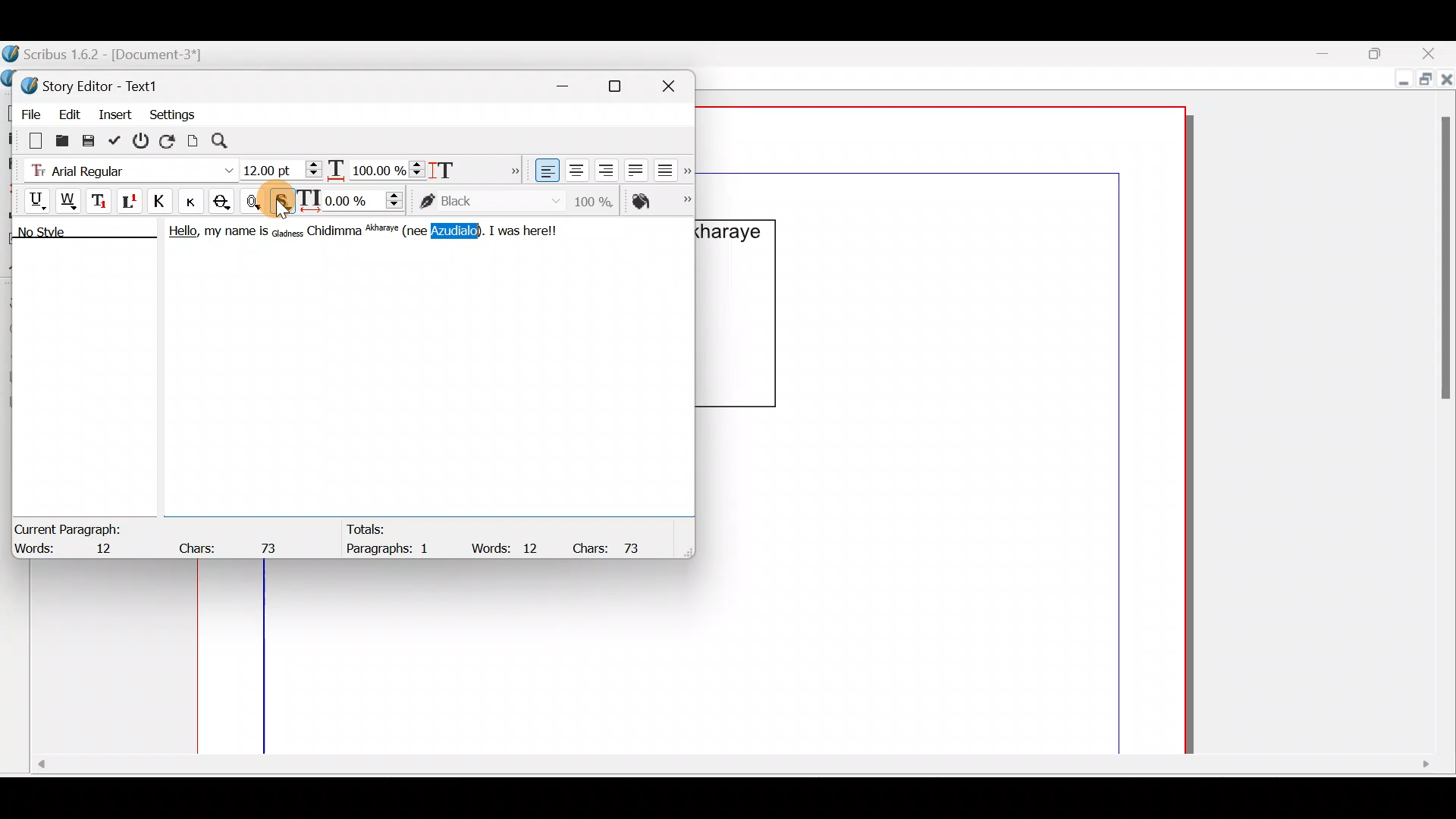 The height and width of the screenshot is (819, 1456). What do you see at coordinates (120, 55) in the screenshot?
I see `Scribus 1.6.2 - [Document-3*]` at bounding box center [120, 55].